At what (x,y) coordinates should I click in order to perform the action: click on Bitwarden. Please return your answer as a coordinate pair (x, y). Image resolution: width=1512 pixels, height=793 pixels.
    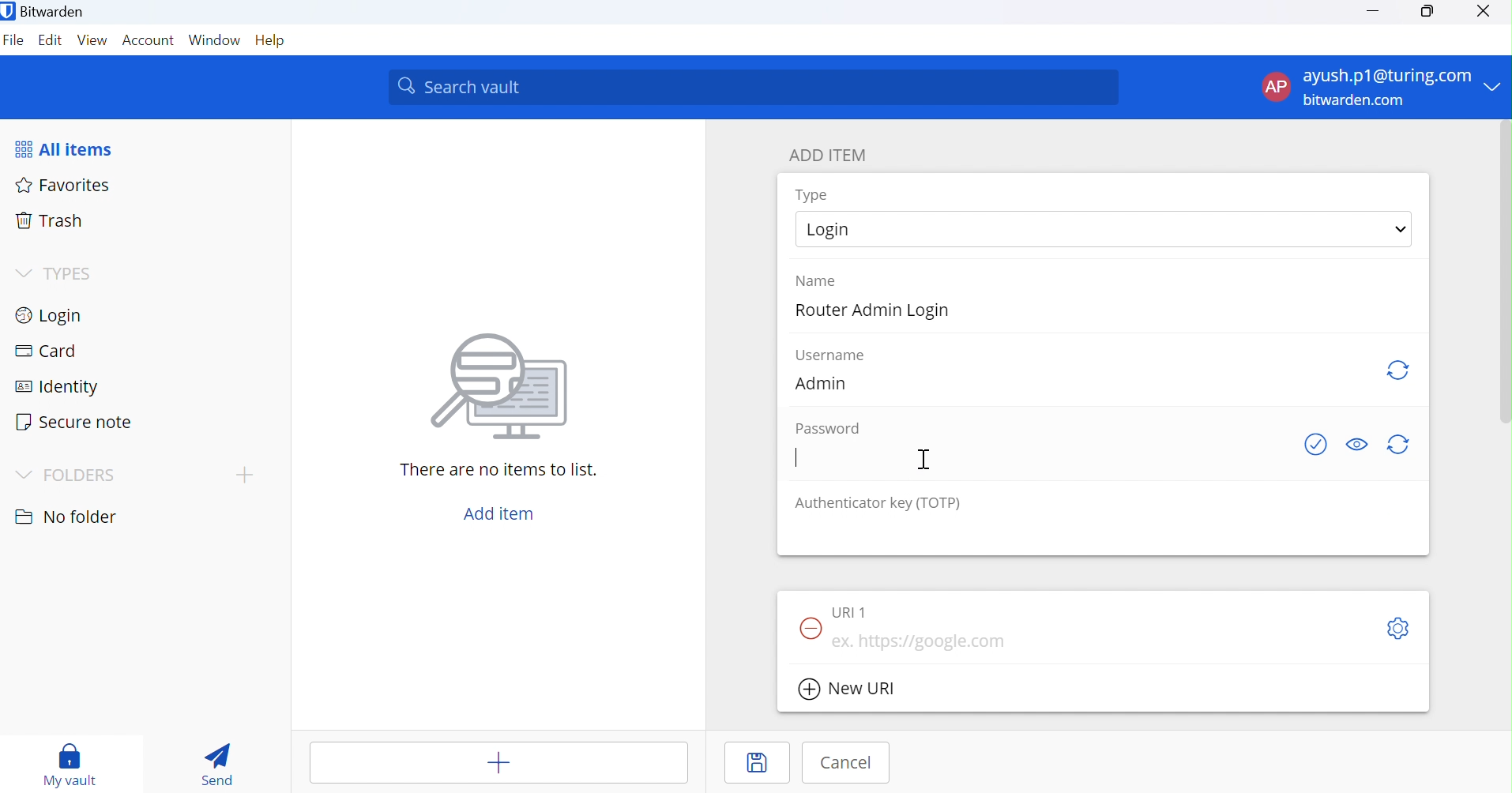
    Looking at the image, I should click on (45, 10).